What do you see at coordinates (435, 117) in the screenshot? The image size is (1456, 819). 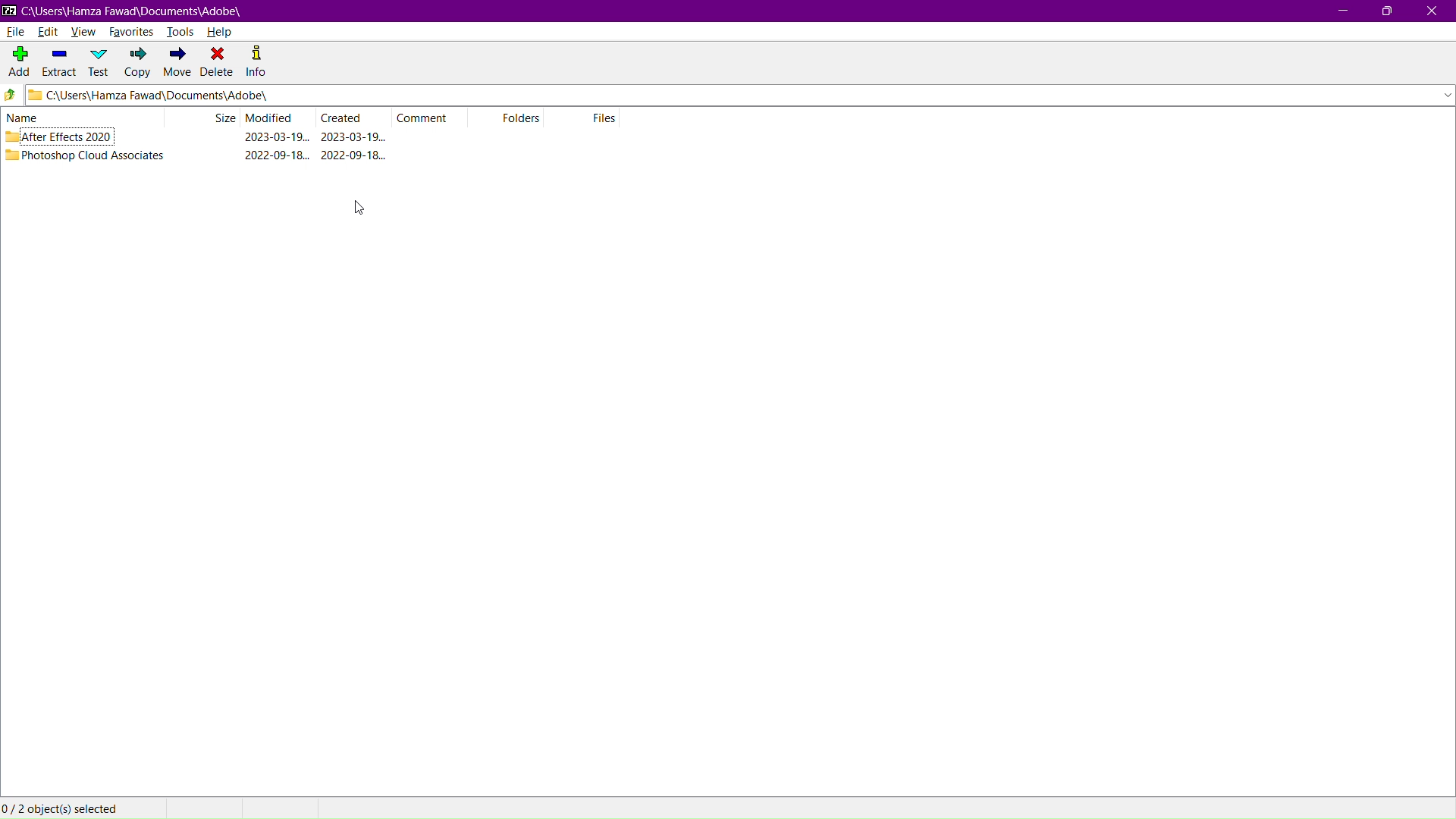 I see `Comment` at bounding box center [435, 117].